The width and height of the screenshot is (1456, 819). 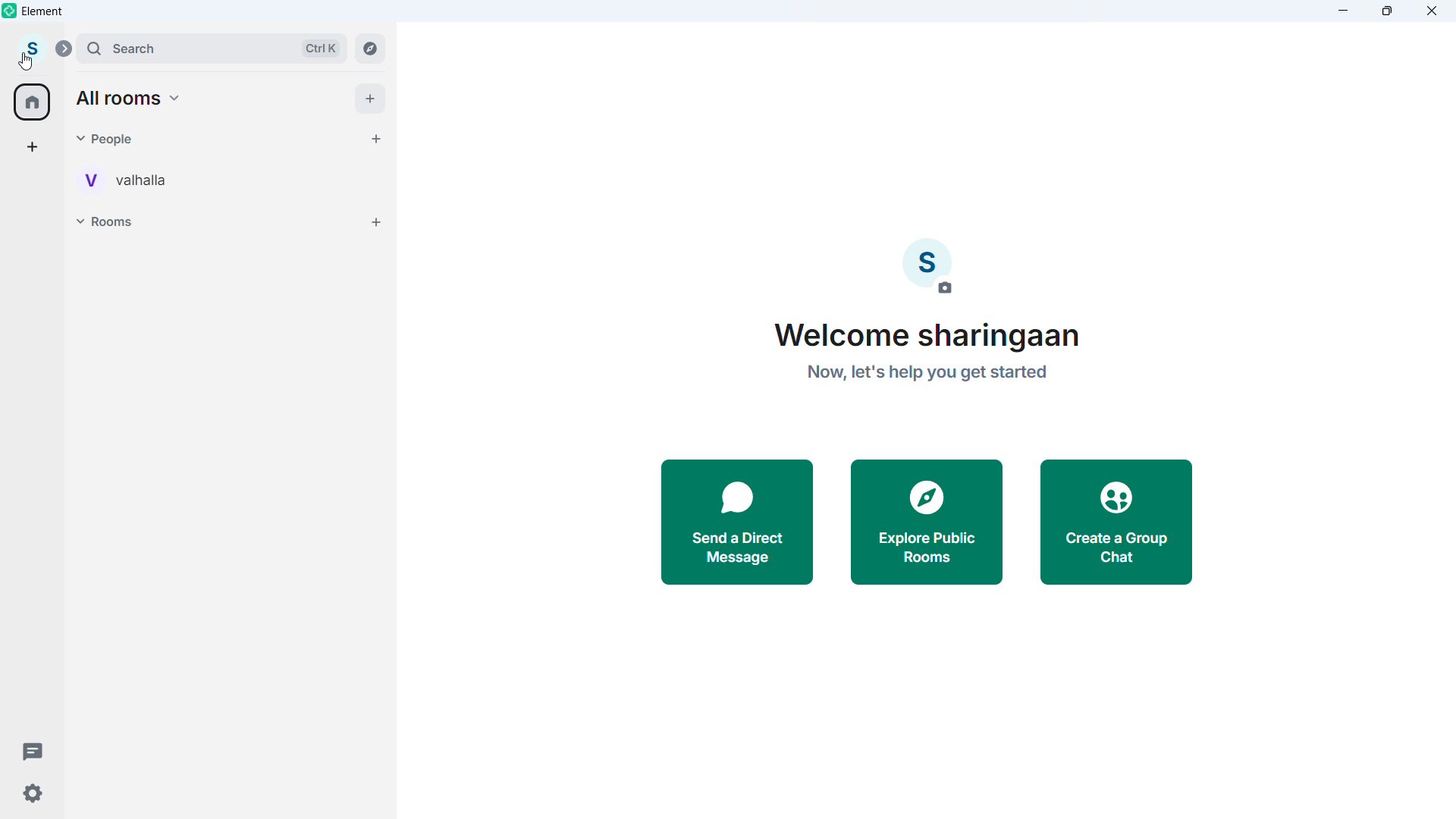 I want to click on Settings , so click(x=32, y=794).